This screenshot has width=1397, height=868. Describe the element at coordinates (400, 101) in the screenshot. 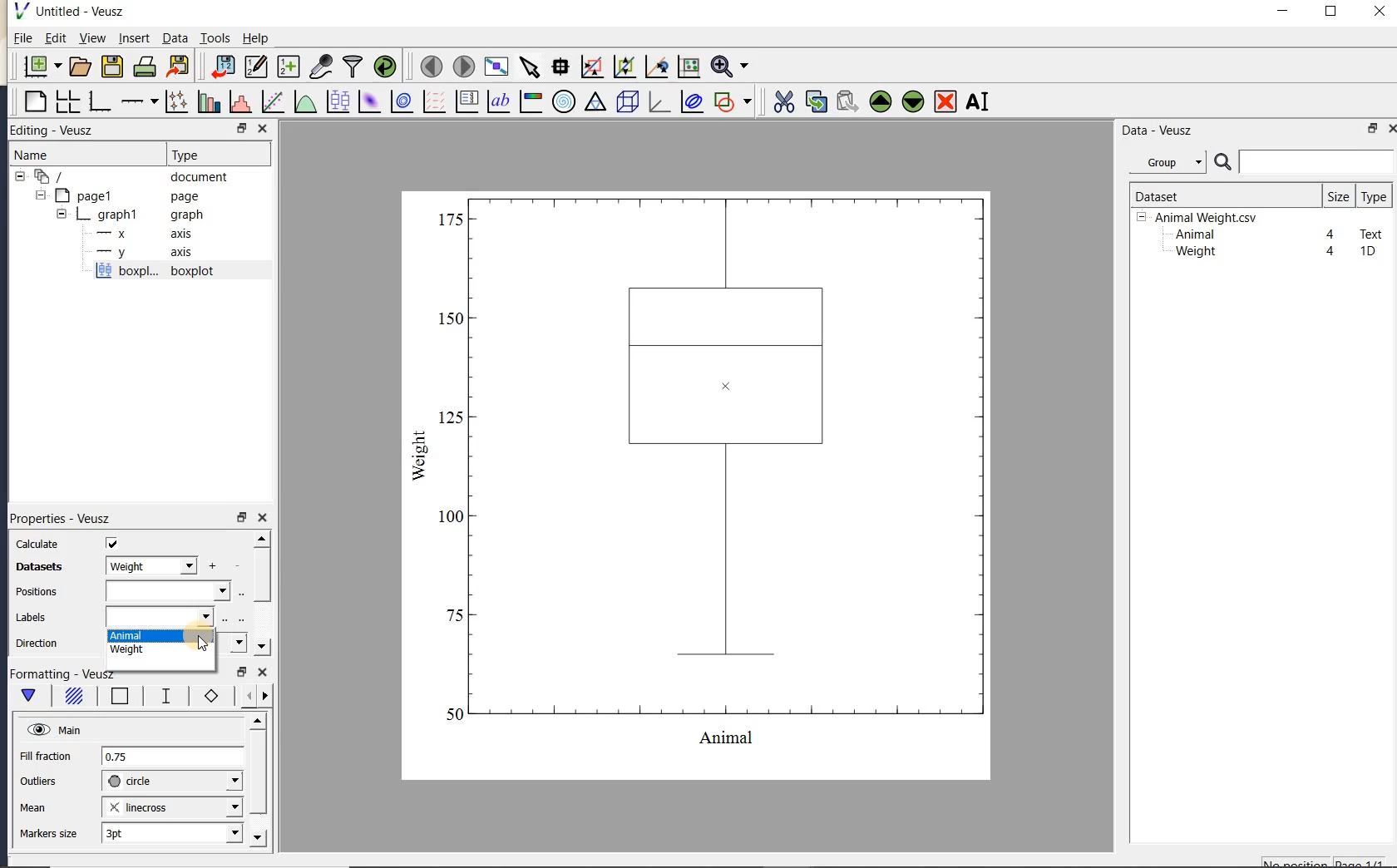

I see `plot a 2d dataset as contours` at that location.